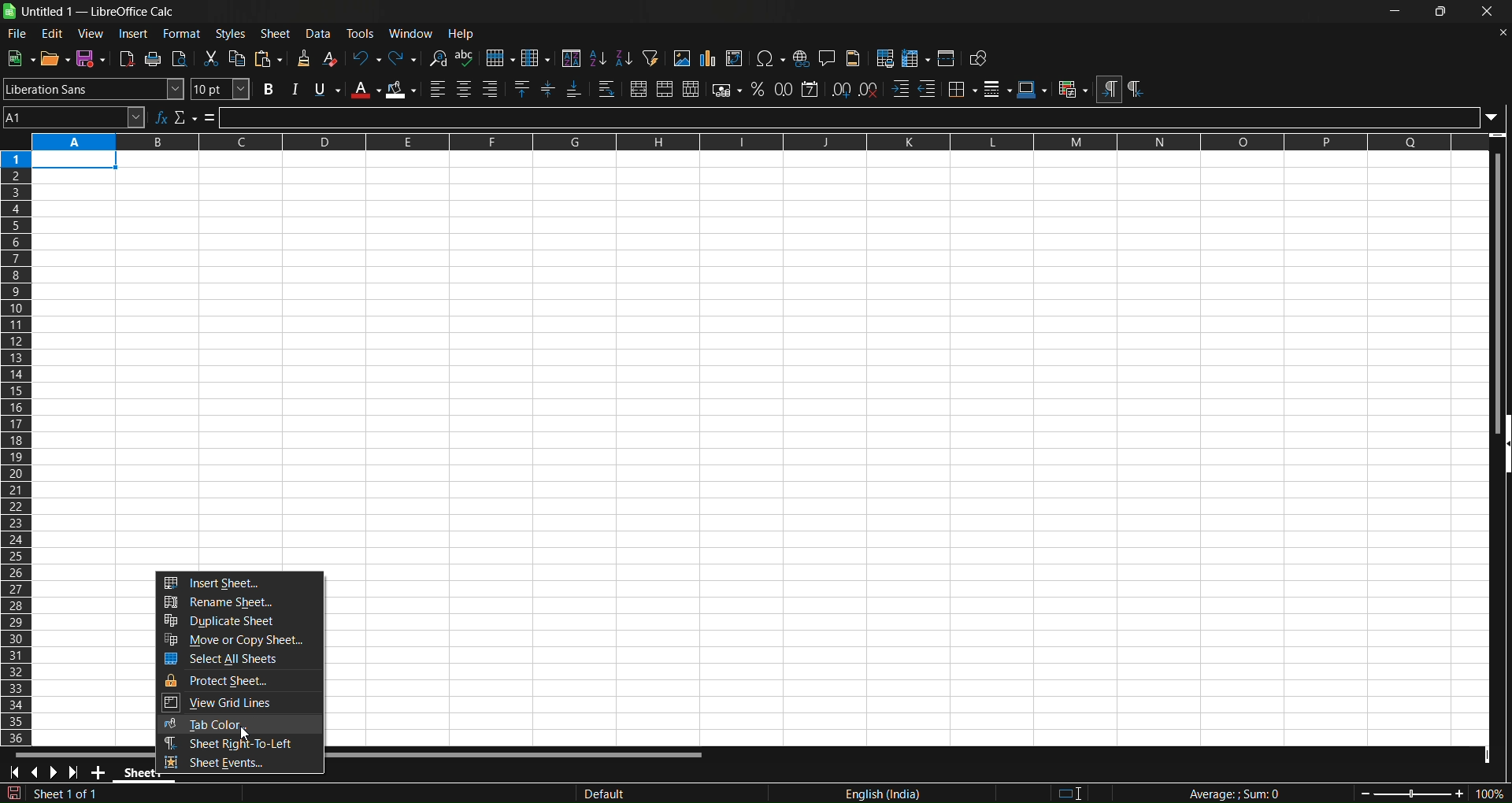 The image size is (1512, 803). Describe the element at coordinates (74, 117) in the screenshot. I see `name box` at that location.